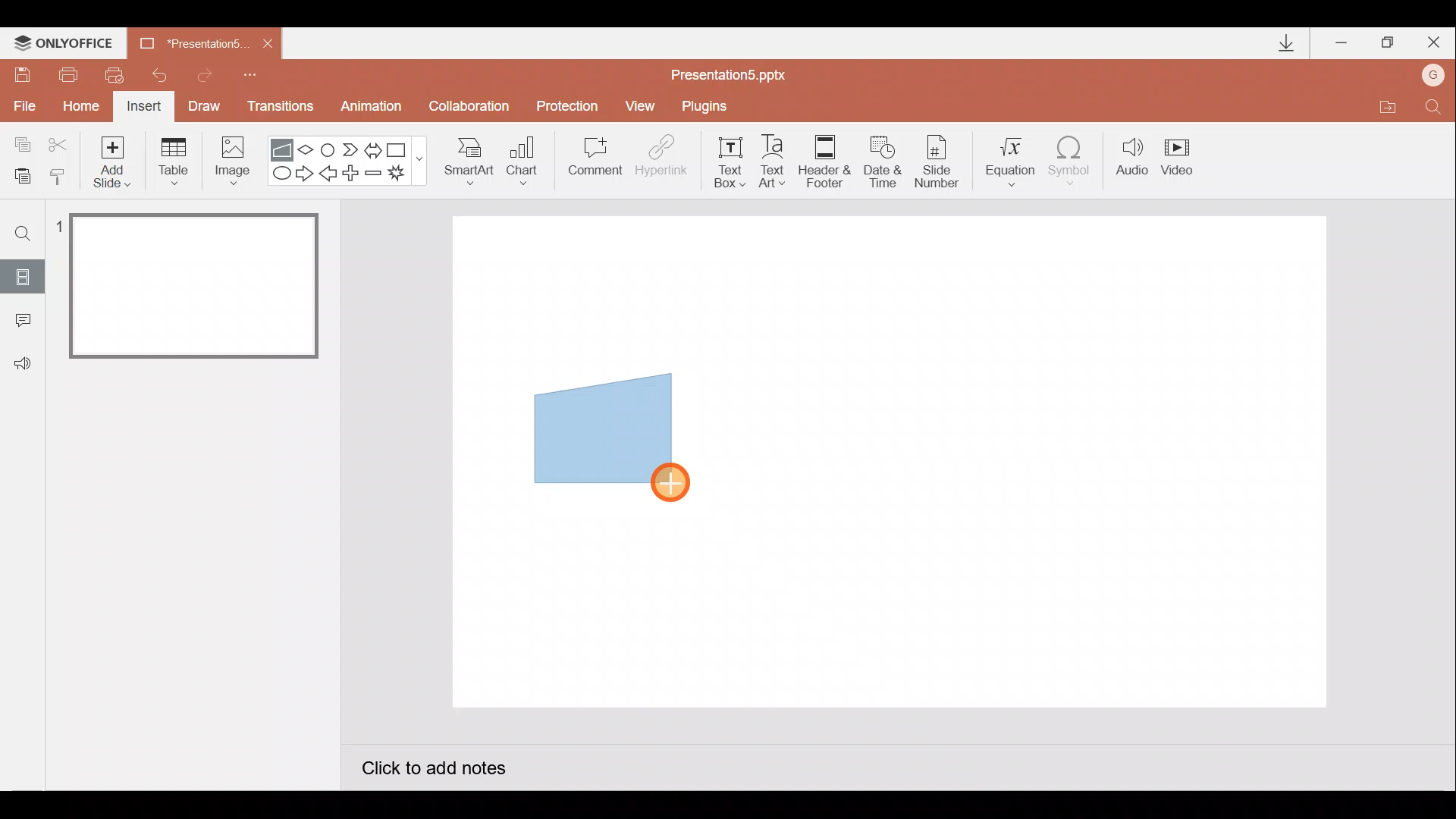 The image size is (1456, 819). What do you see at coordinates (375, 147) in the screenshot?
I see `Left right arrow` at bounding box center [375, 147].